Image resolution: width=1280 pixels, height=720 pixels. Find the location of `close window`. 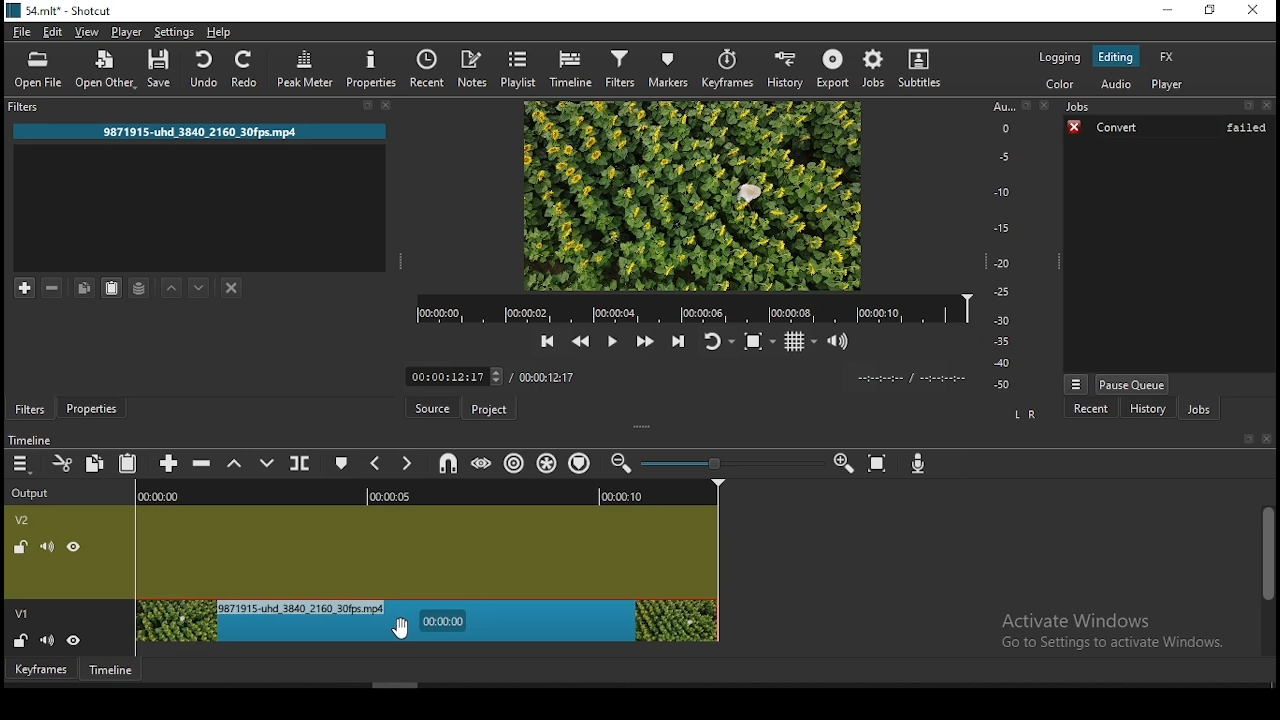

close window is located at coordinates (1251, 11).